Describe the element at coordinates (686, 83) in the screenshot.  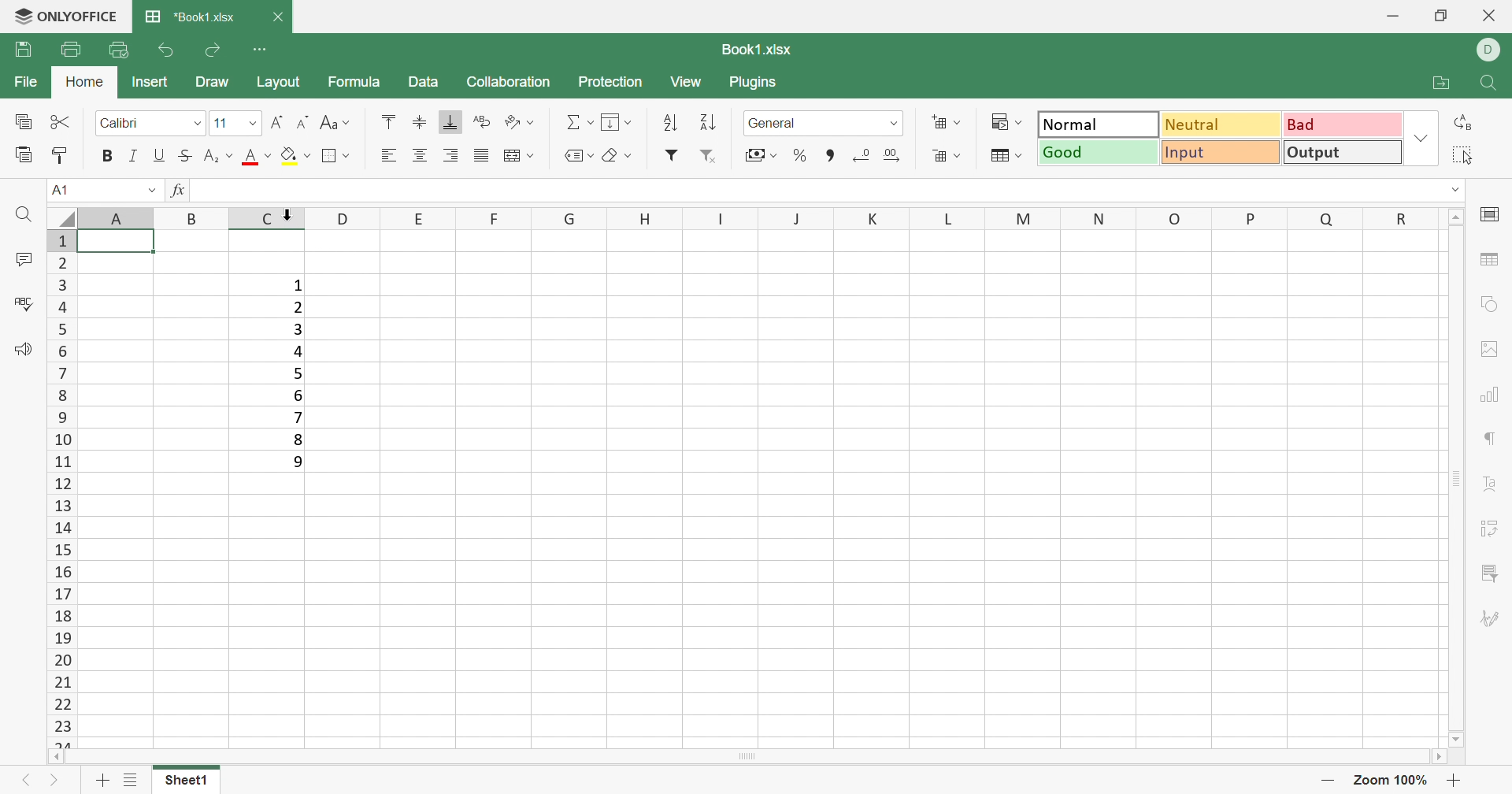
I see `View` at that location.